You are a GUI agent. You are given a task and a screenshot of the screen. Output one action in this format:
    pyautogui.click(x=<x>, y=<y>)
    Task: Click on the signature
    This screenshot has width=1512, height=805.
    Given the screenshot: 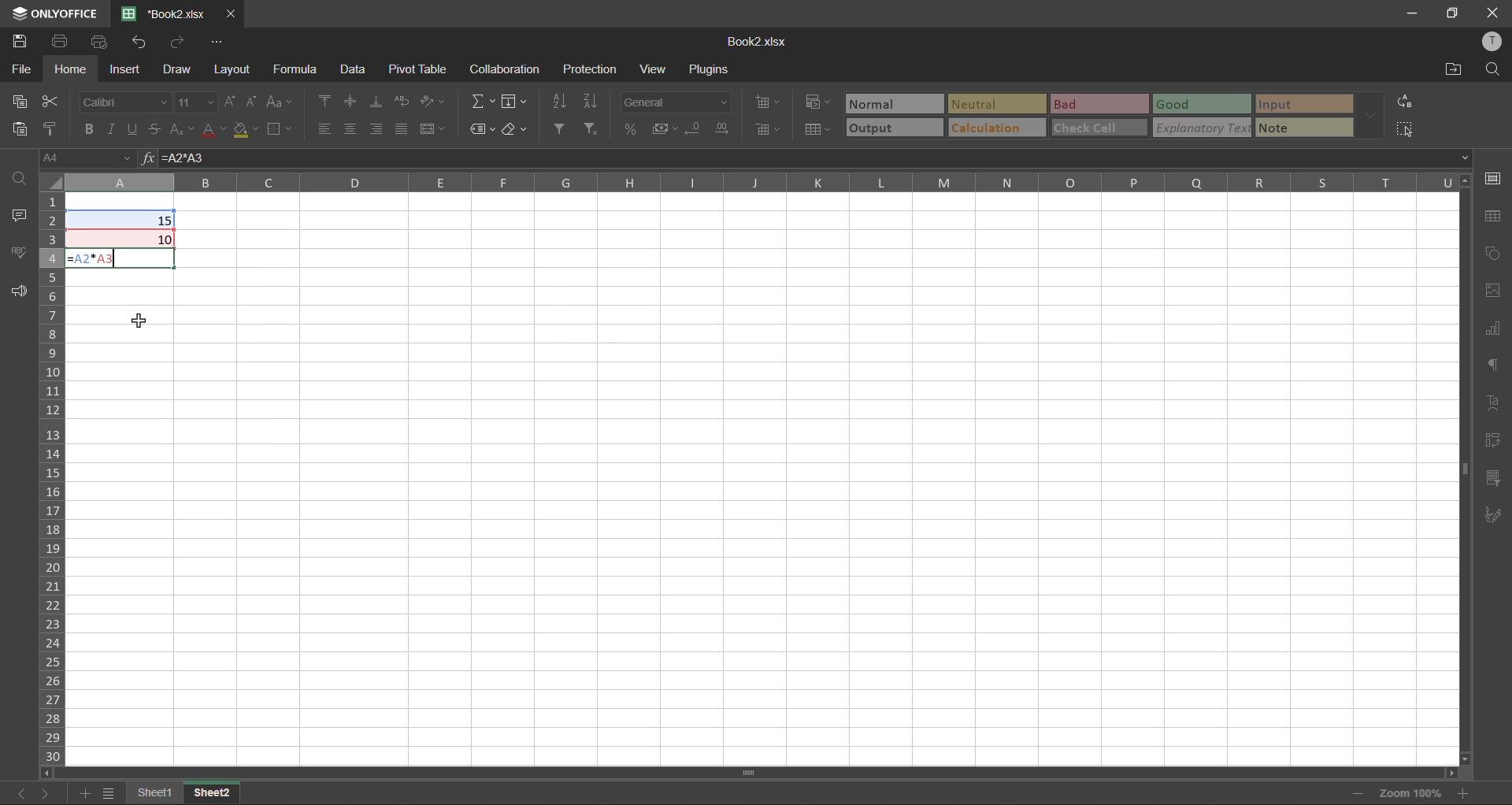 What is the action you would take?
    pyautogui.click(x=1494, y=516)
    